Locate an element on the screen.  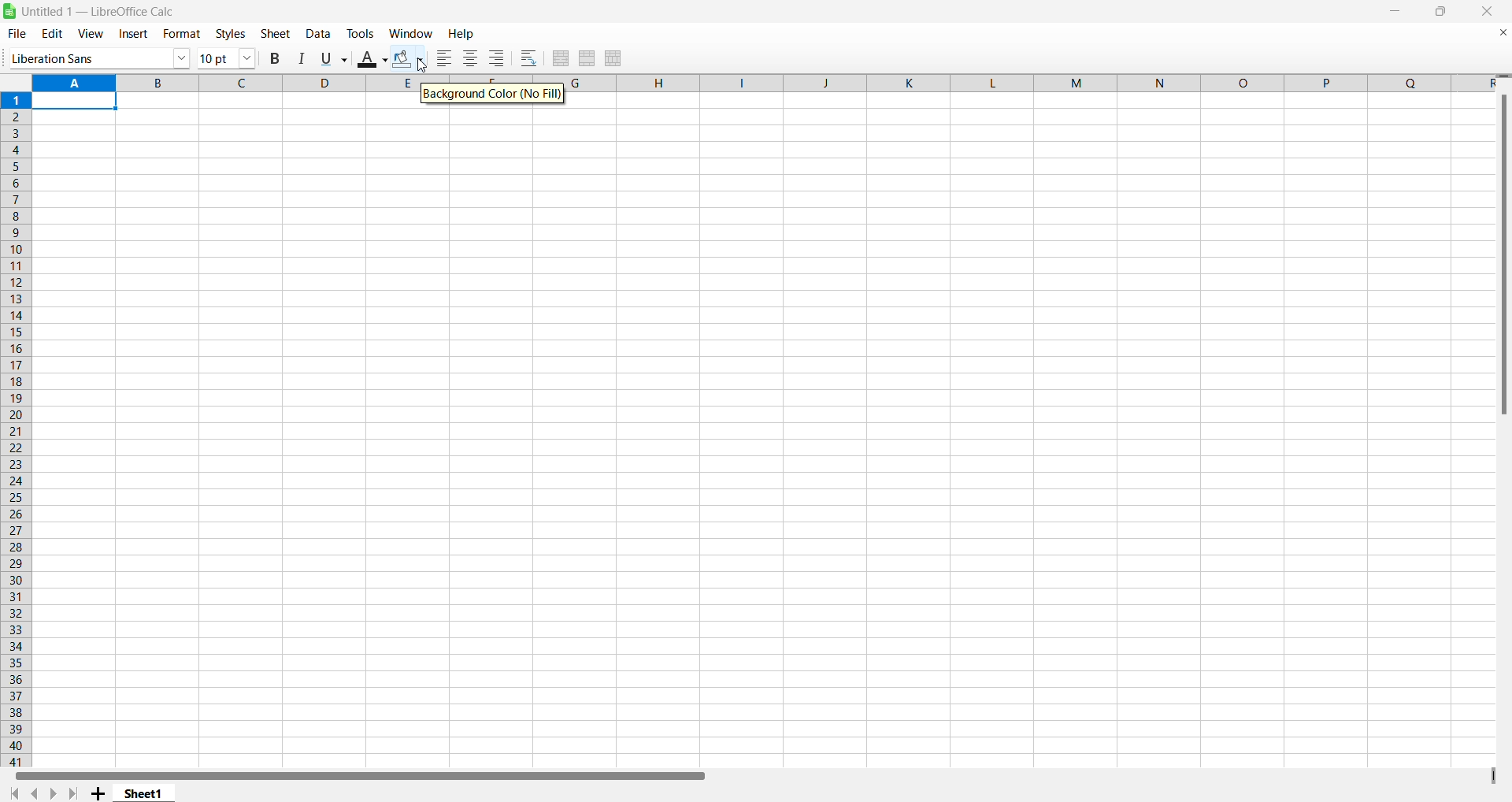
vertical scroll bar is located at coordinates (1501, 255).